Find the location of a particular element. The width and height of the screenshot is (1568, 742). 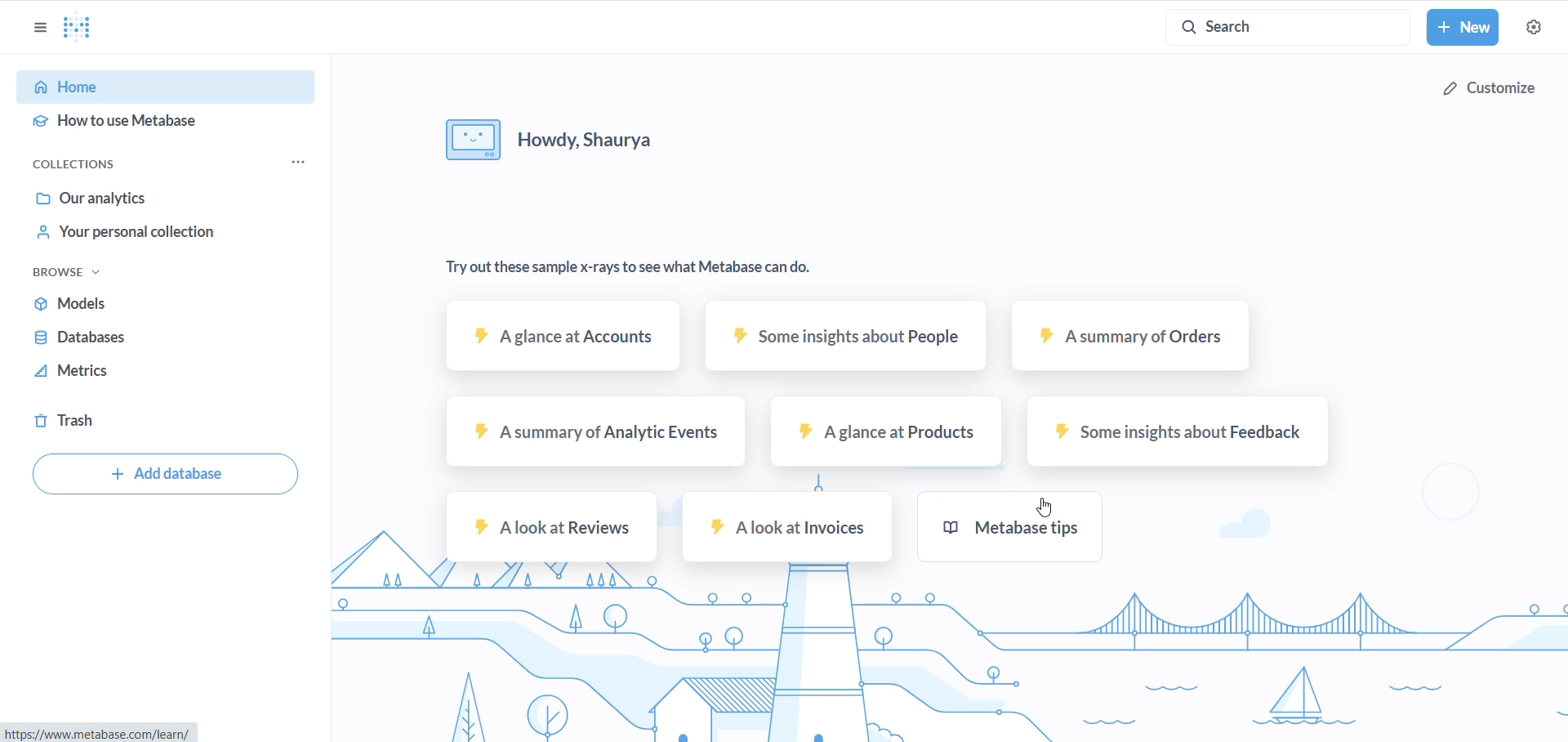

search is located at coordinates (1288, 28).